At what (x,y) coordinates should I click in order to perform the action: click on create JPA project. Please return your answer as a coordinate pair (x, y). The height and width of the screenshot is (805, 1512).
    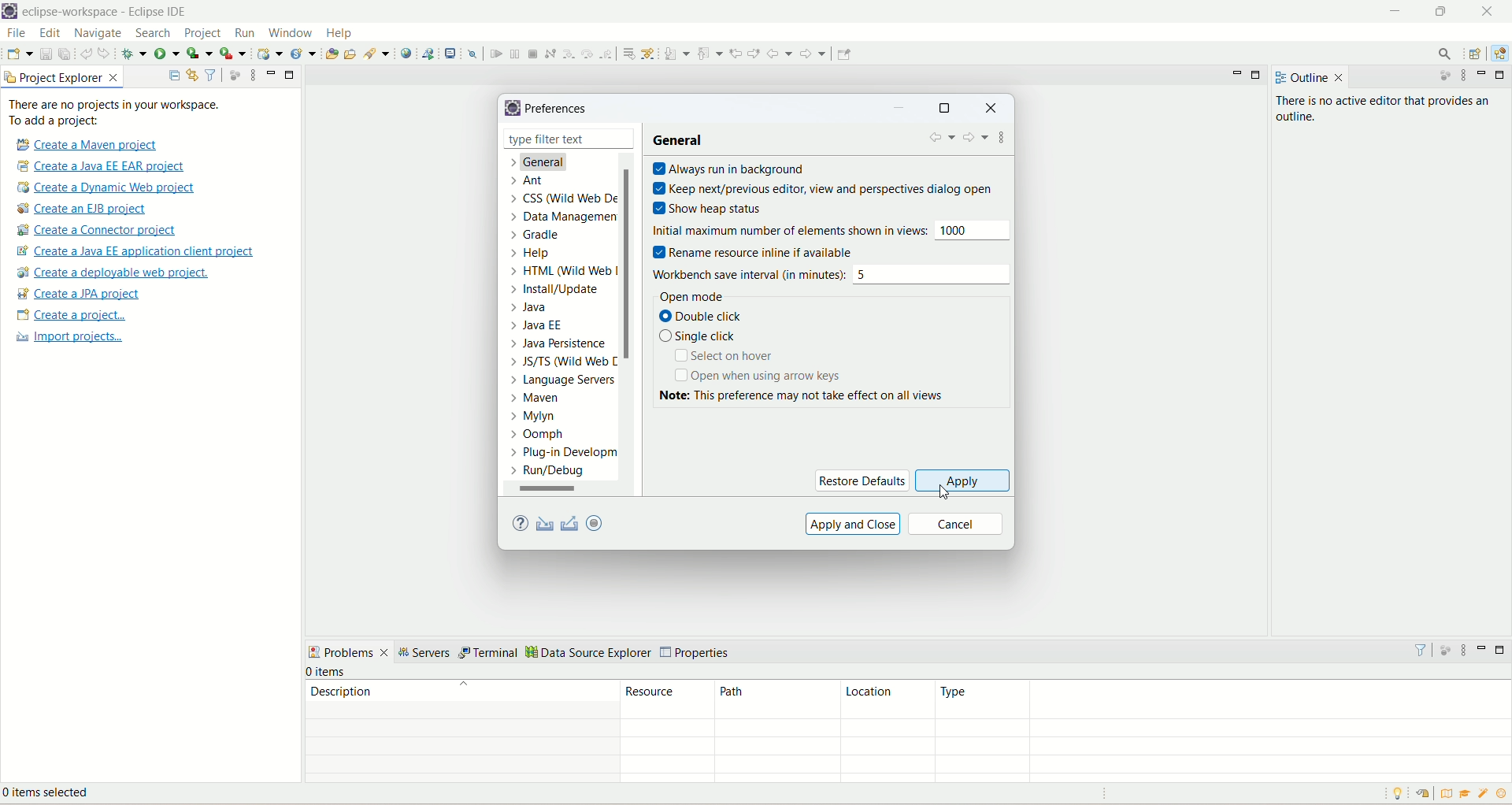
    Looking at the image, I should click on (80, 294).